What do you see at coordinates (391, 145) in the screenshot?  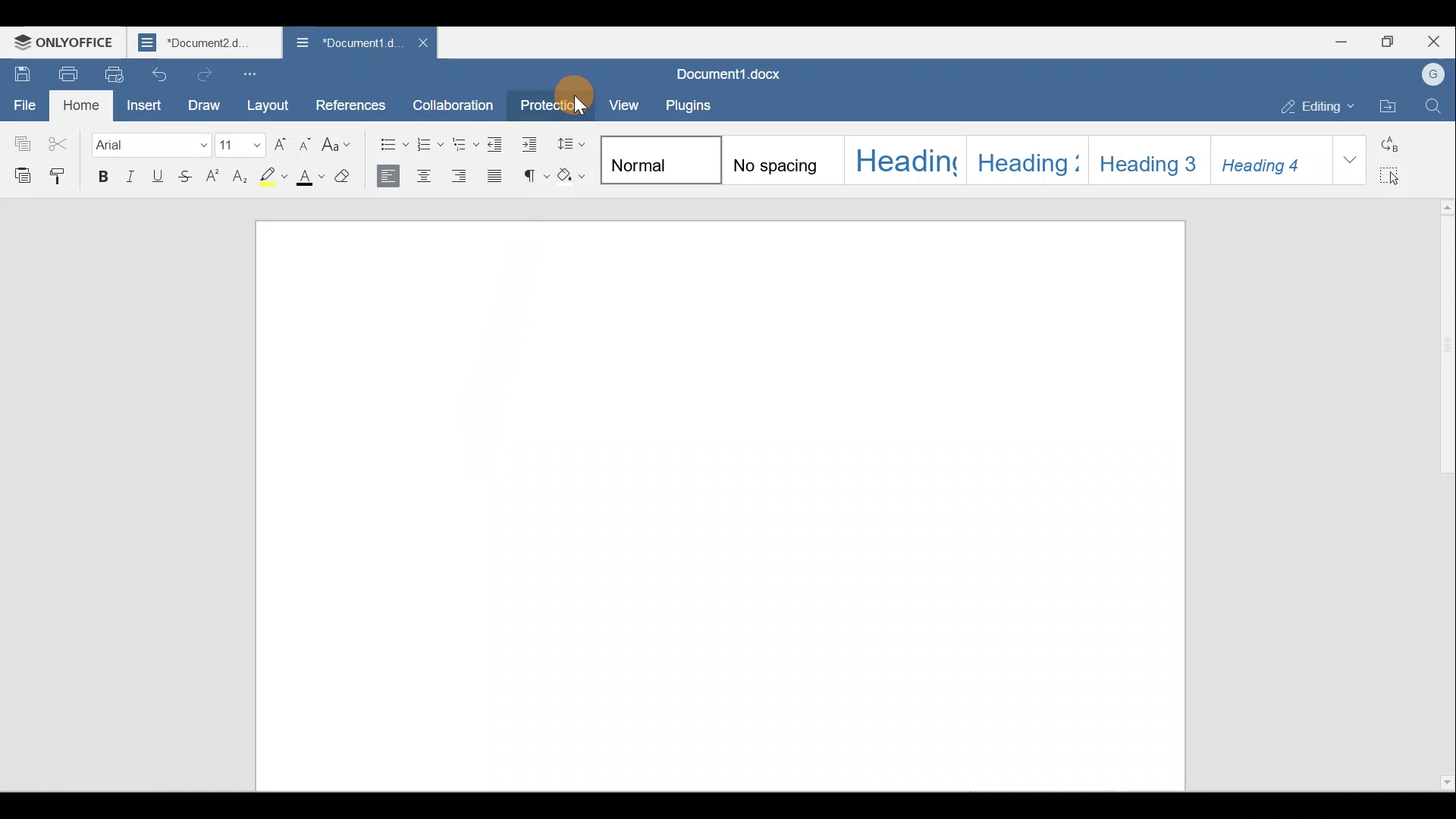 I see `Bullets` at bounding box center [391, 145].